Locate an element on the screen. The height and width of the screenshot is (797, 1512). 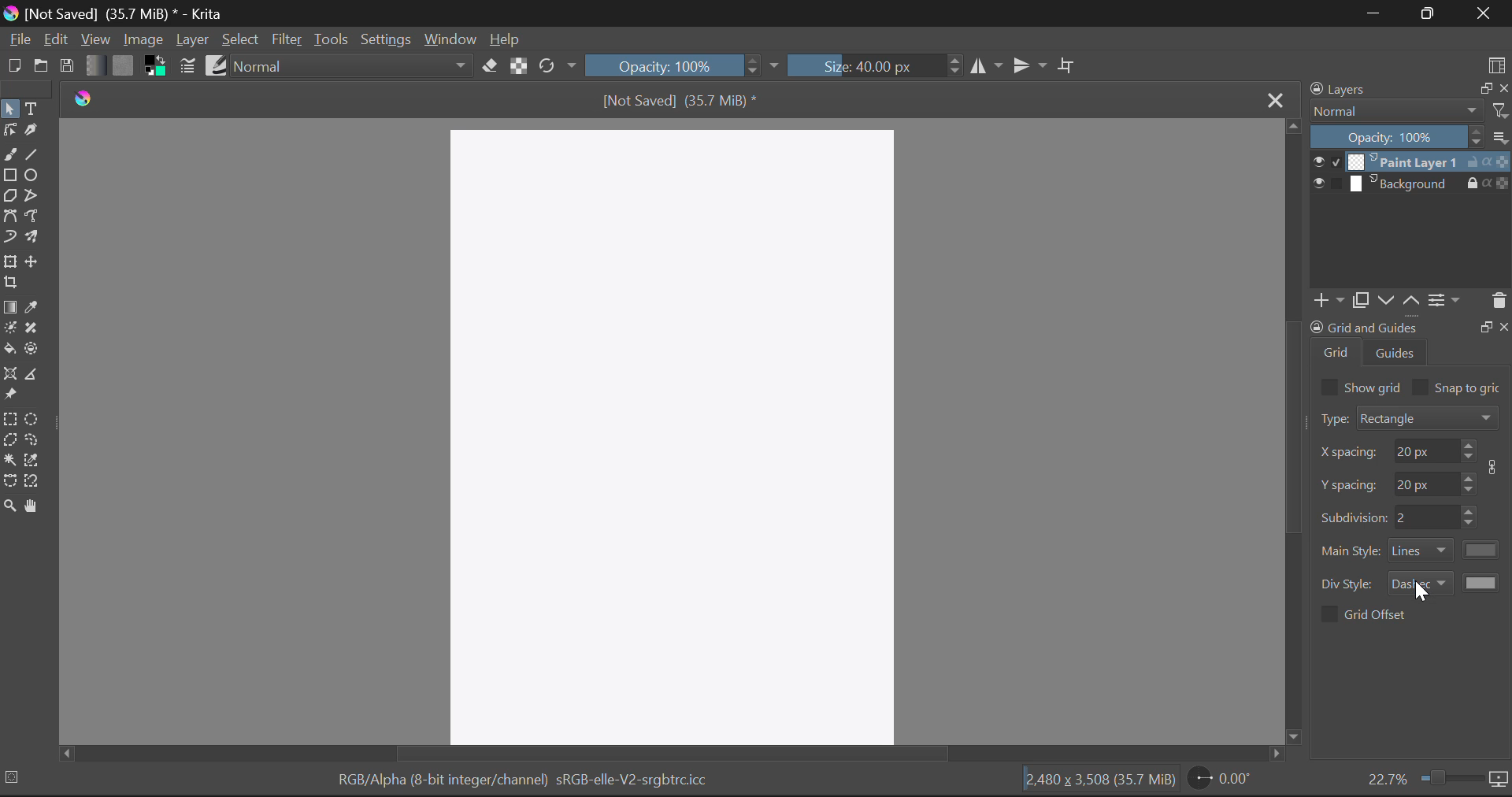
normal is located at coordinates (1396, 110).